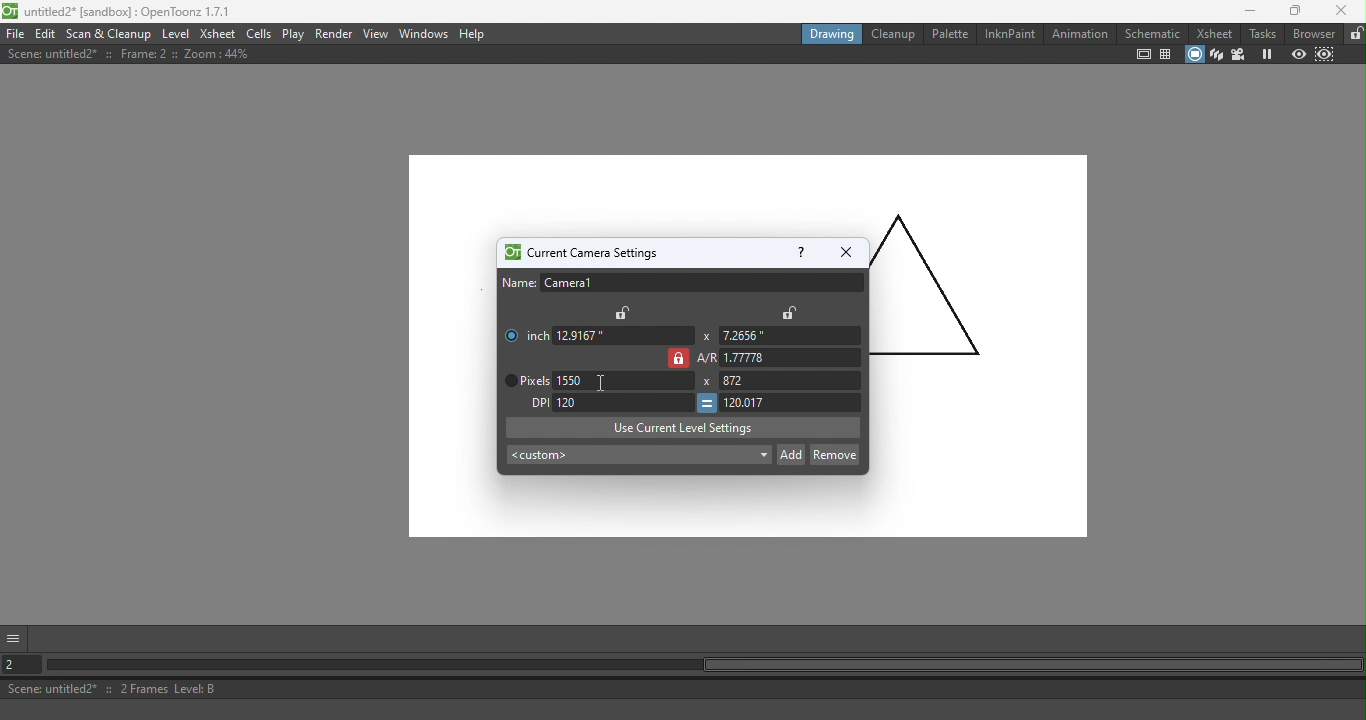  I want to click on InknPaint, so click(1011, 34).